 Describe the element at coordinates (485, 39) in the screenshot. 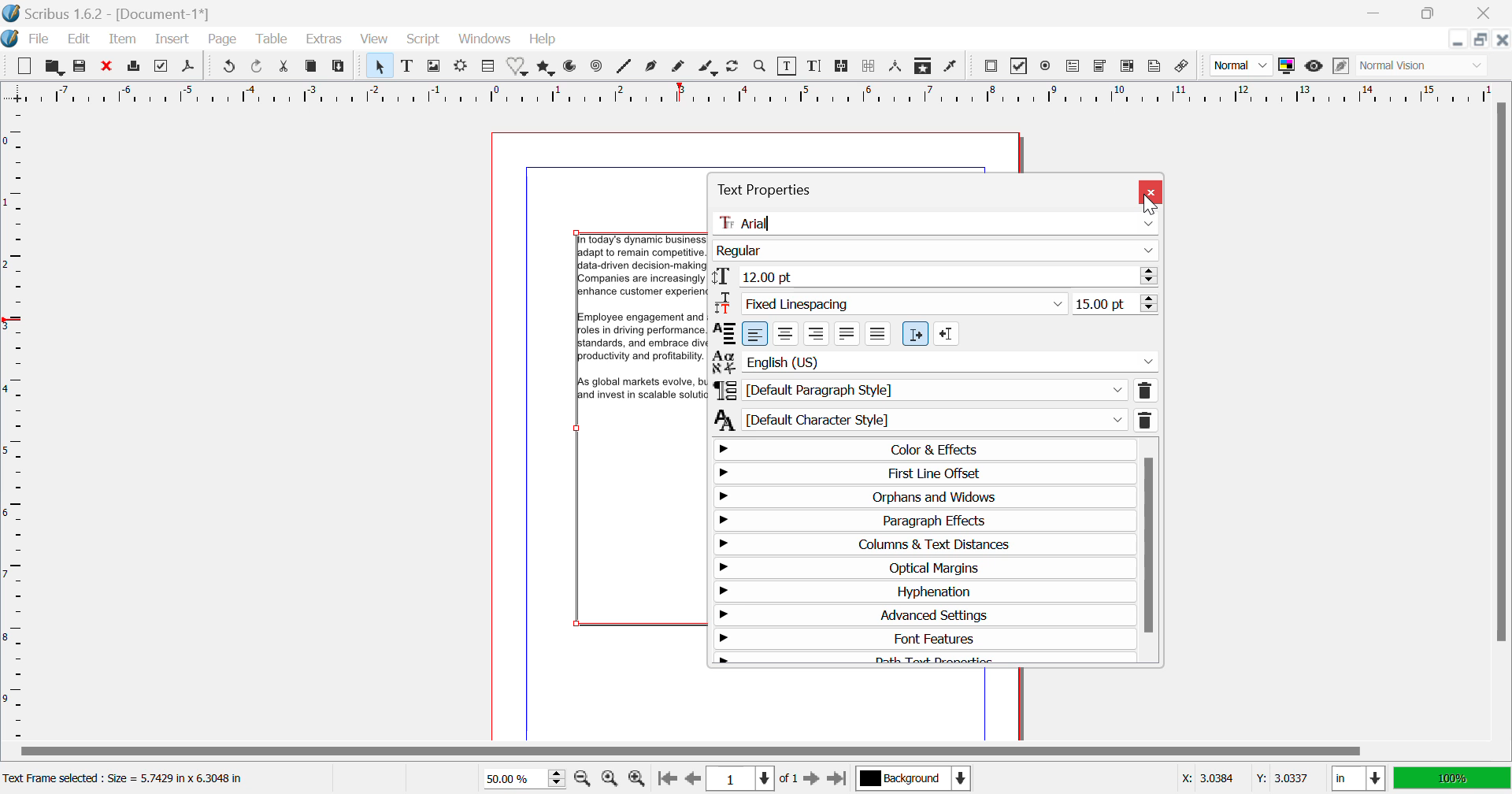

I see `Windows` at that location.